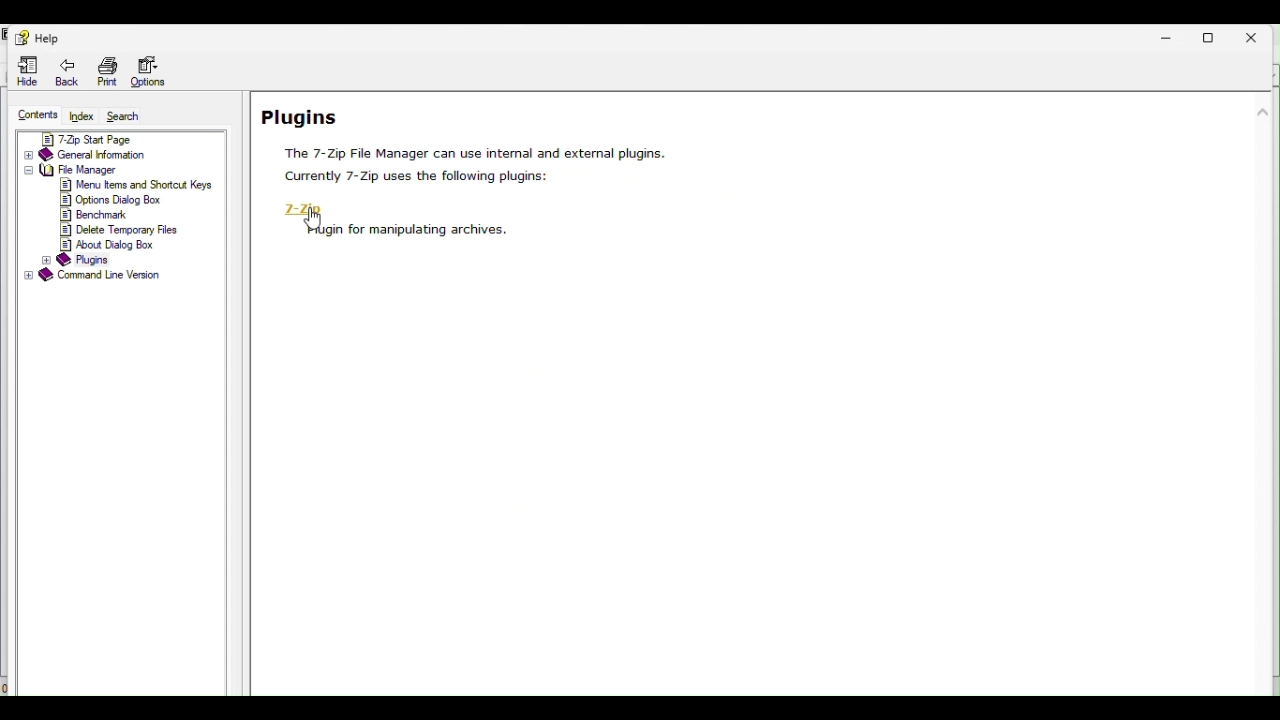  I want to click on Close, so click(1261, 33).